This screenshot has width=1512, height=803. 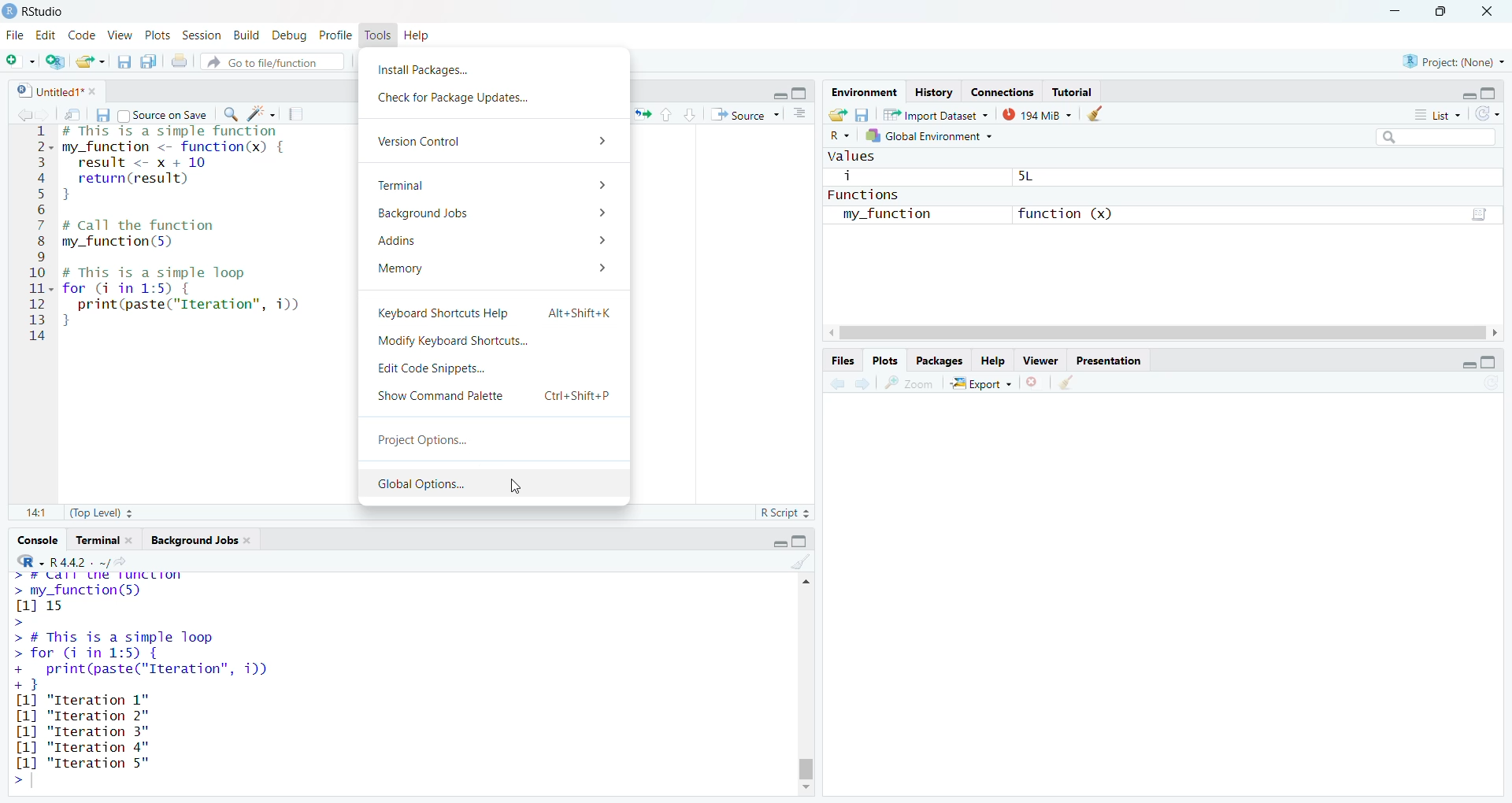 What do you see at coordinates (228, 114) in the screenshot?
I see `find/replace` at bounding box center [228, 114].